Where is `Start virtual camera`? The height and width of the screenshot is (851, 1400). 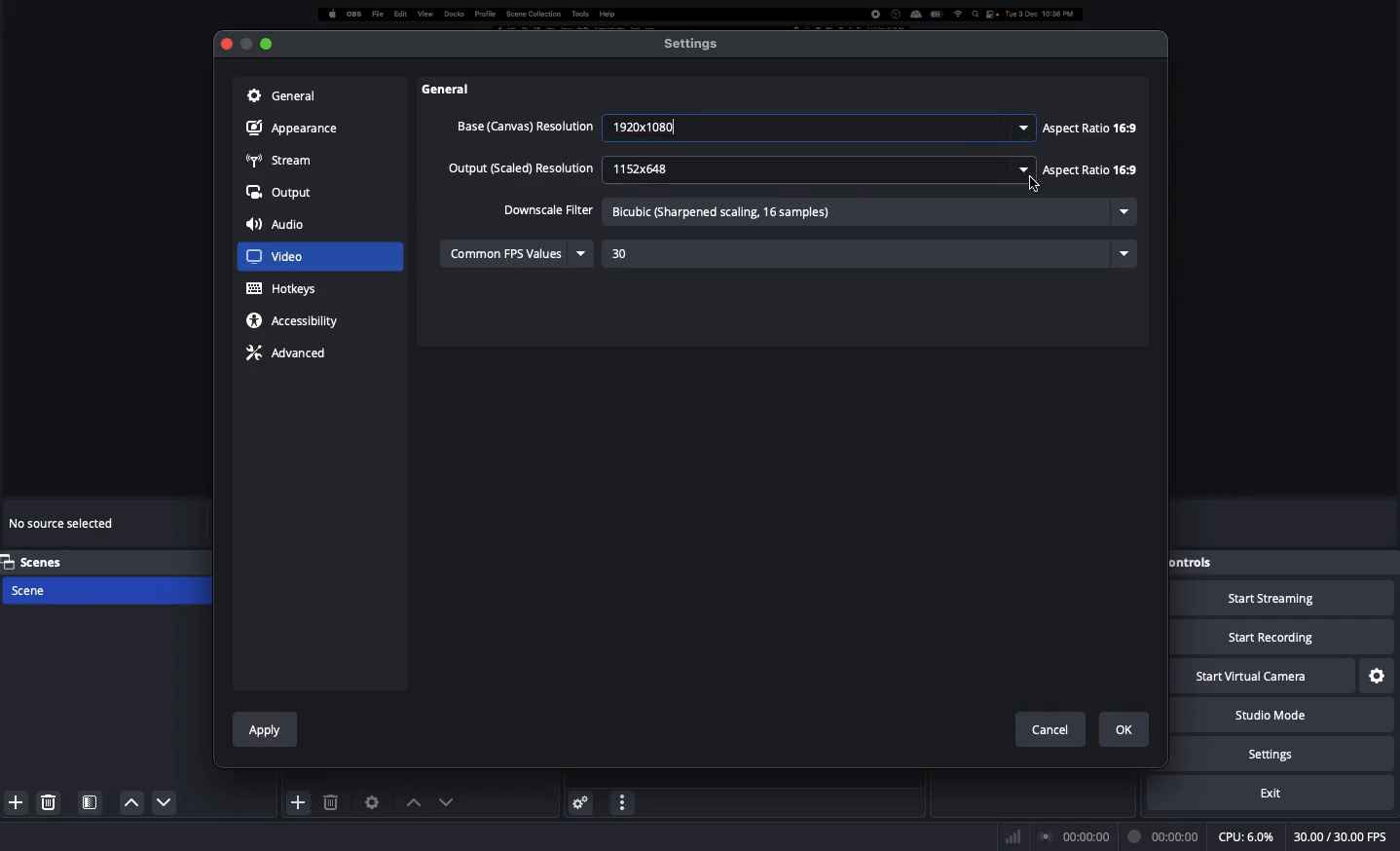 Start virtual camera is located at coordinates (1264, 678).